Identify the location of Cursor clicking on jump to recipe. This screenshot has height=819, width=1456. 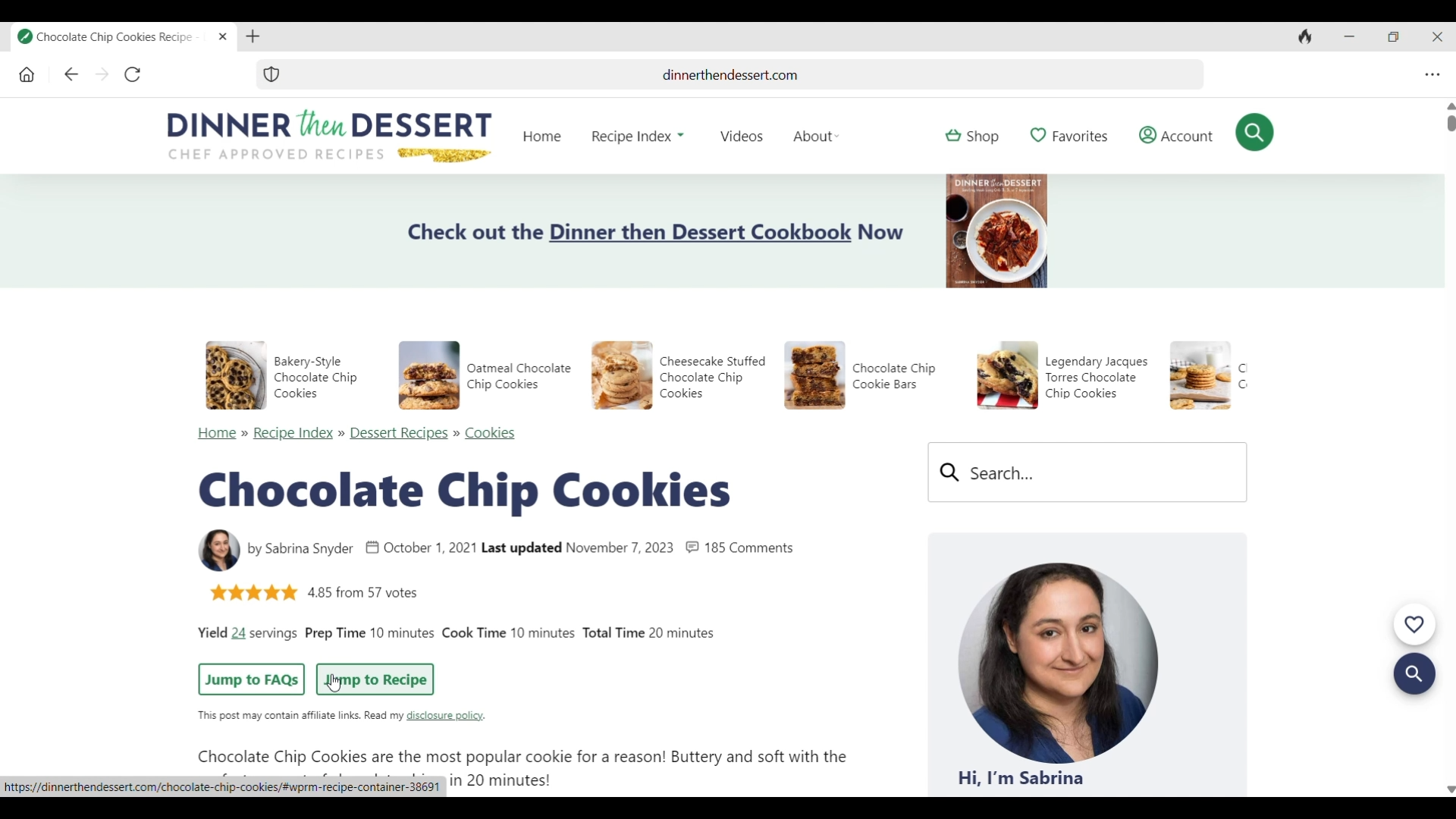
(334, 682).